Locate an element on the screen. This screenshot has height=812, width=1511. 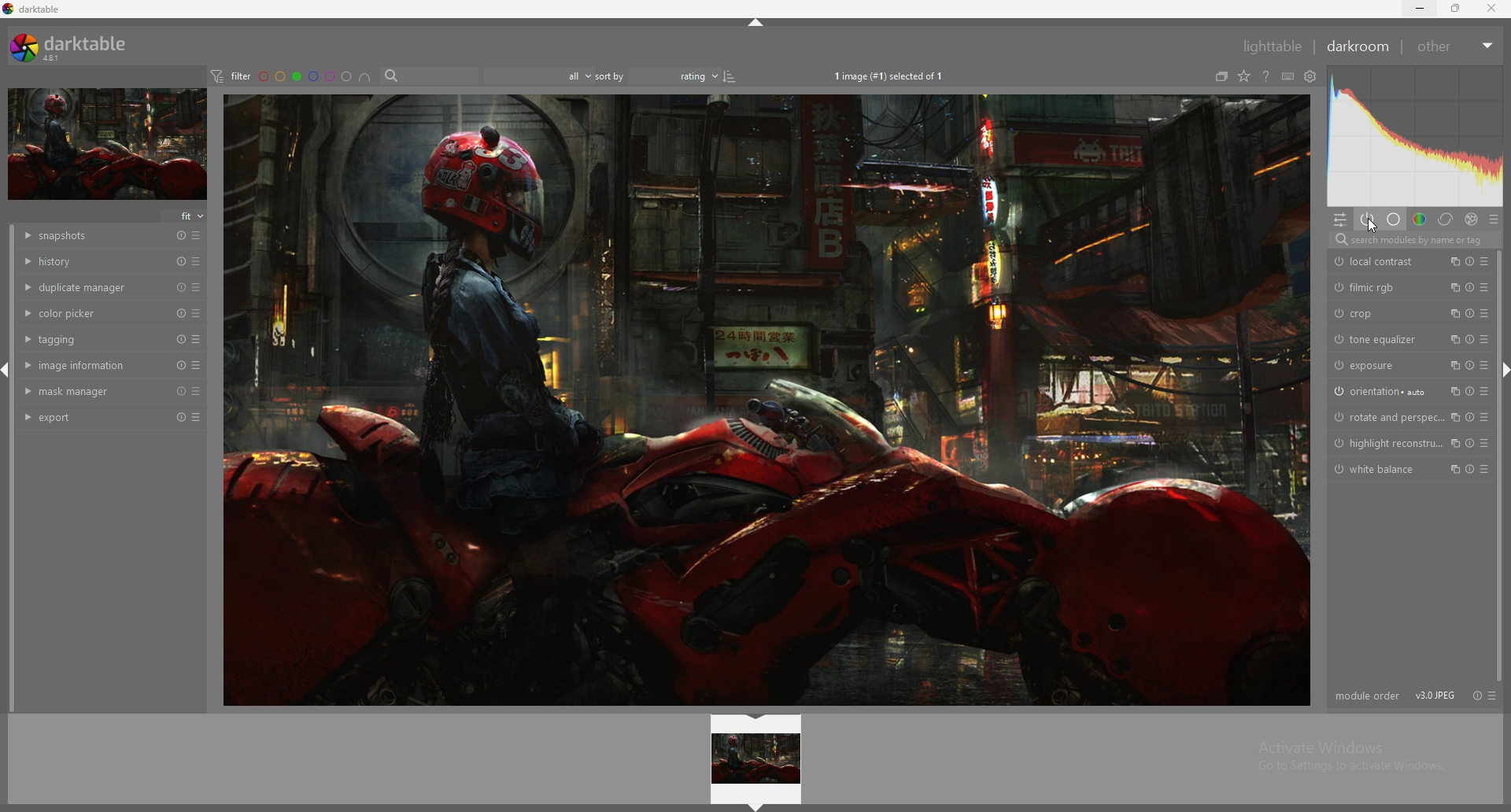
resize is located at coordinates (1458, 8).